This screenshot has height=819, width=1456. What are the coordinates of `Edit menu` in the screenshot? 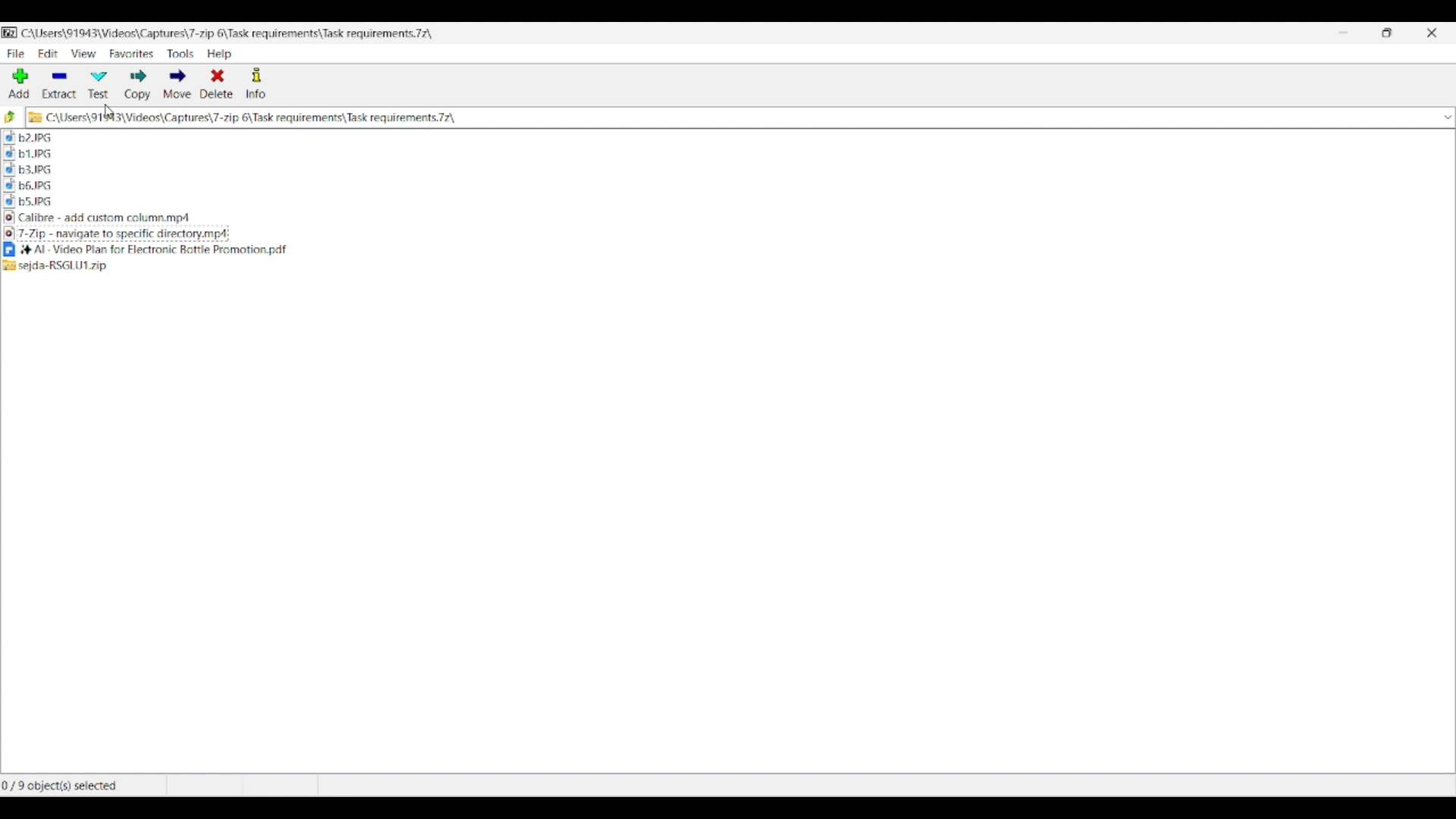 It's located at (49, 54).